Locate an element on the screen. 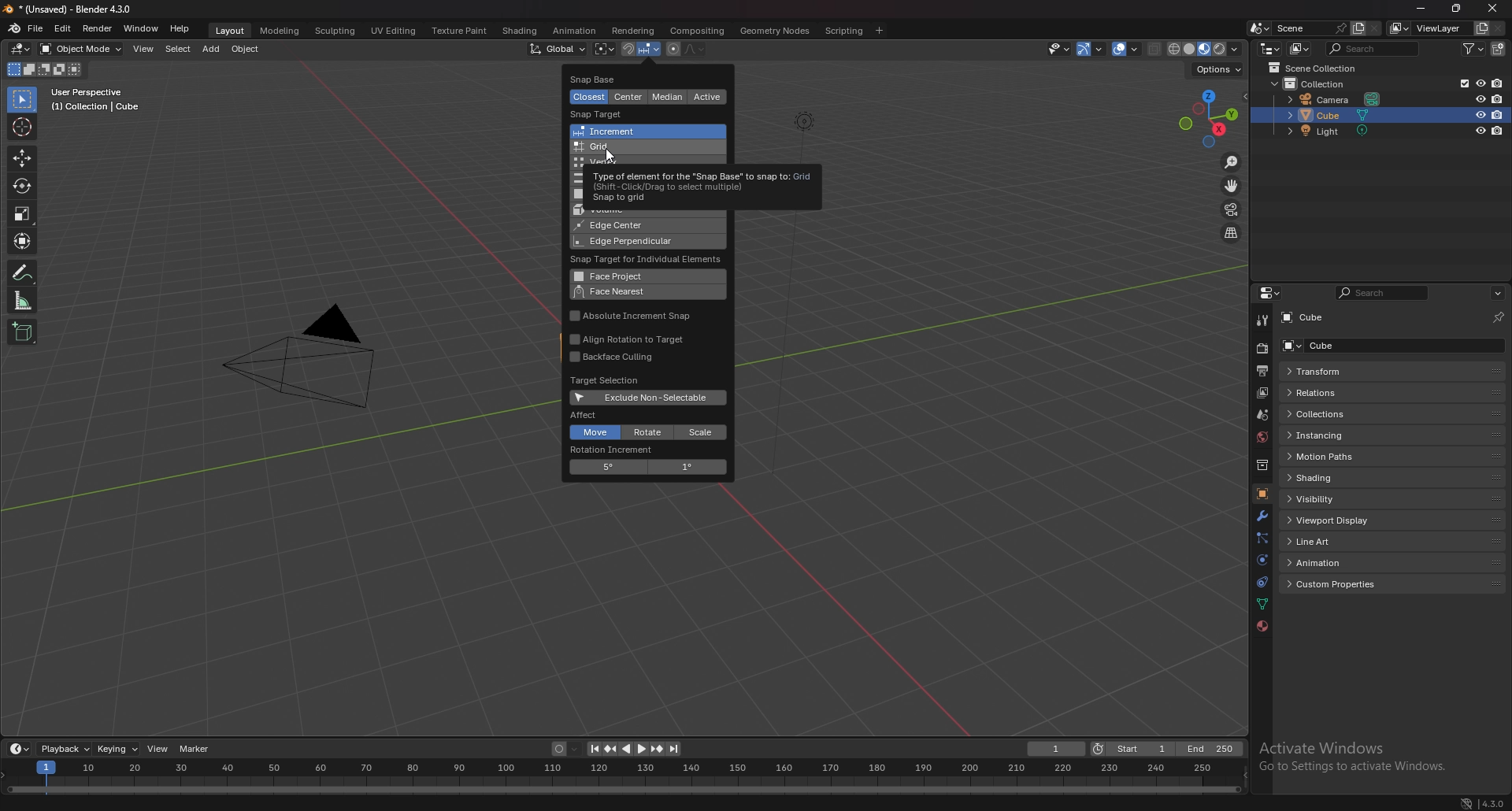 Image resolution: width=1512 pixels, height=811 pixels. scene collection is located at coordinates (1320, 68).